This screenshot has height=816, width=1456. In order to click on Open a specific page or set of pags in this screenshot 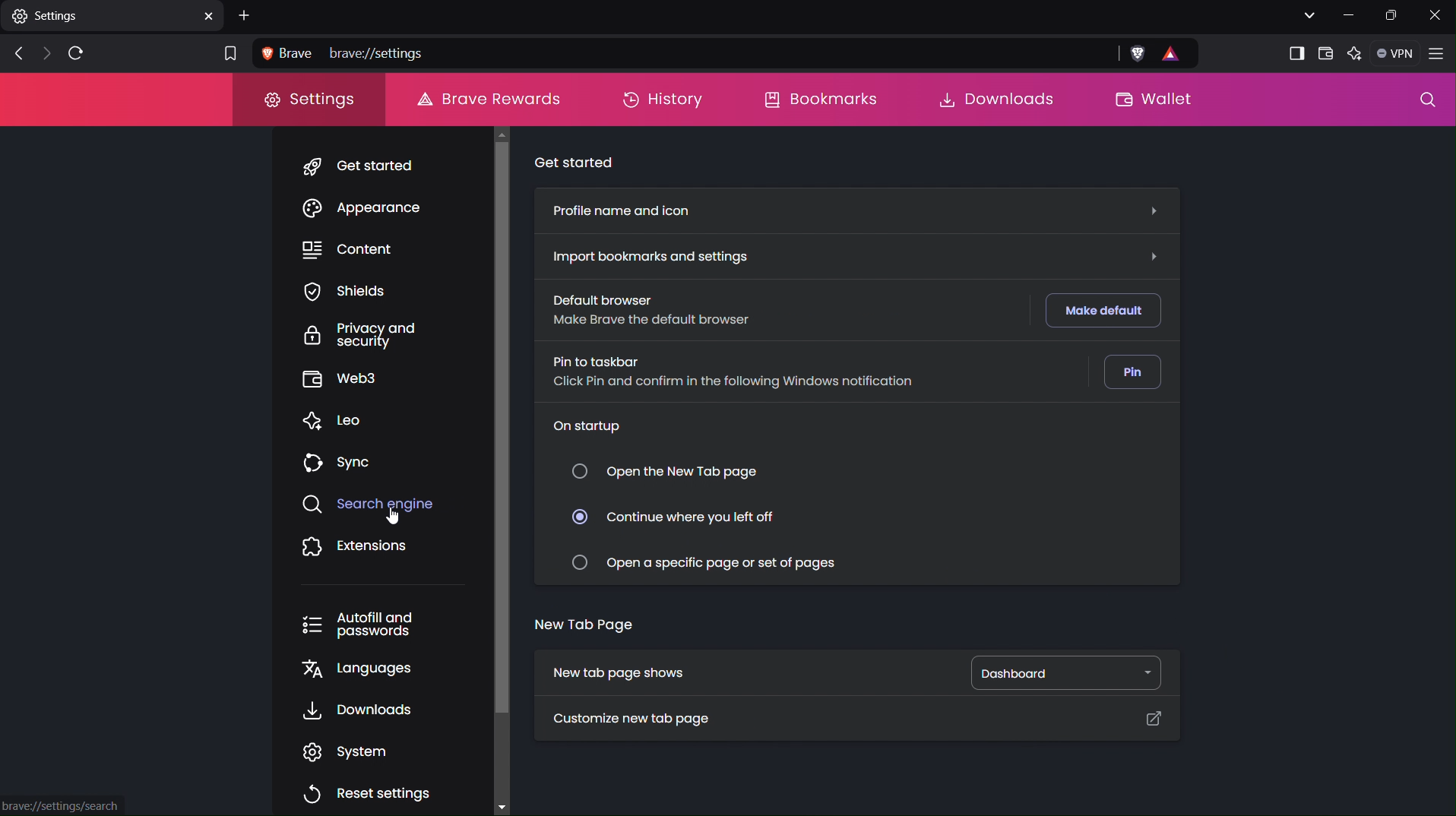, I will do `click(714, 561)`.